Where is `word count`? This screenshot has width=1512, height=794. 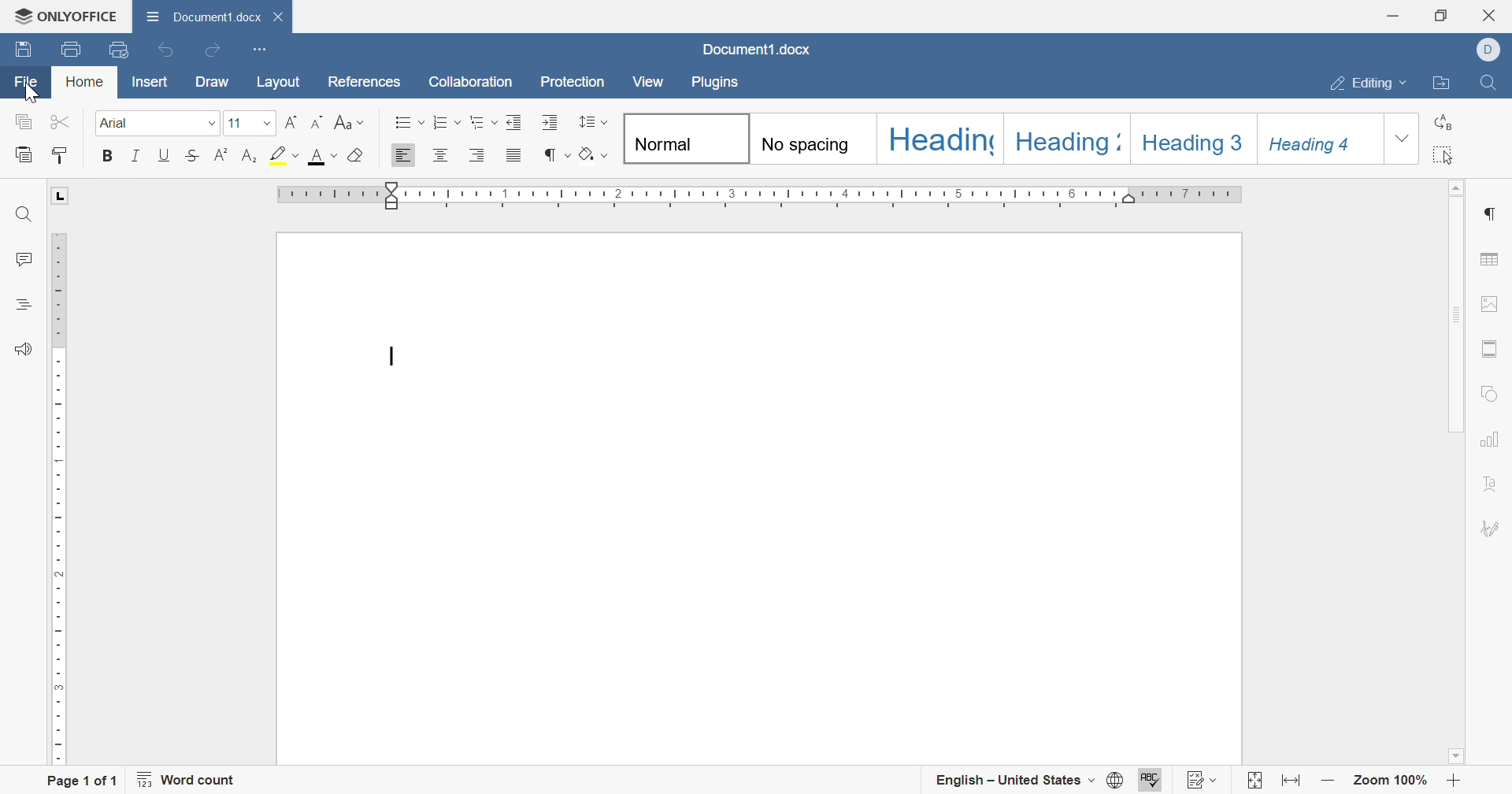
word count is located at coordinates (191, 780).